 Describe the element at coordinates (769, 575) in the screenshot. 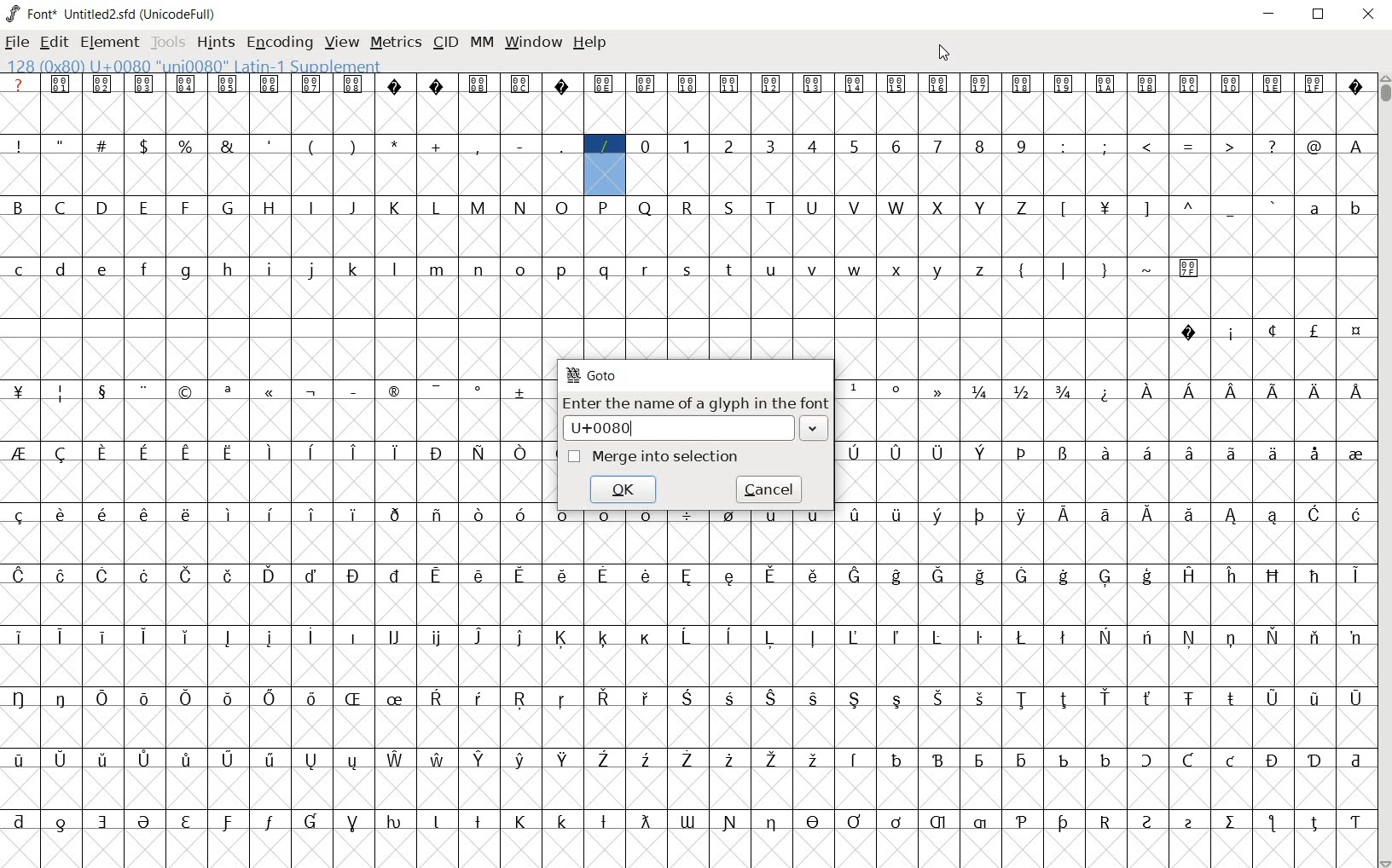

I see `glyph` at that location.